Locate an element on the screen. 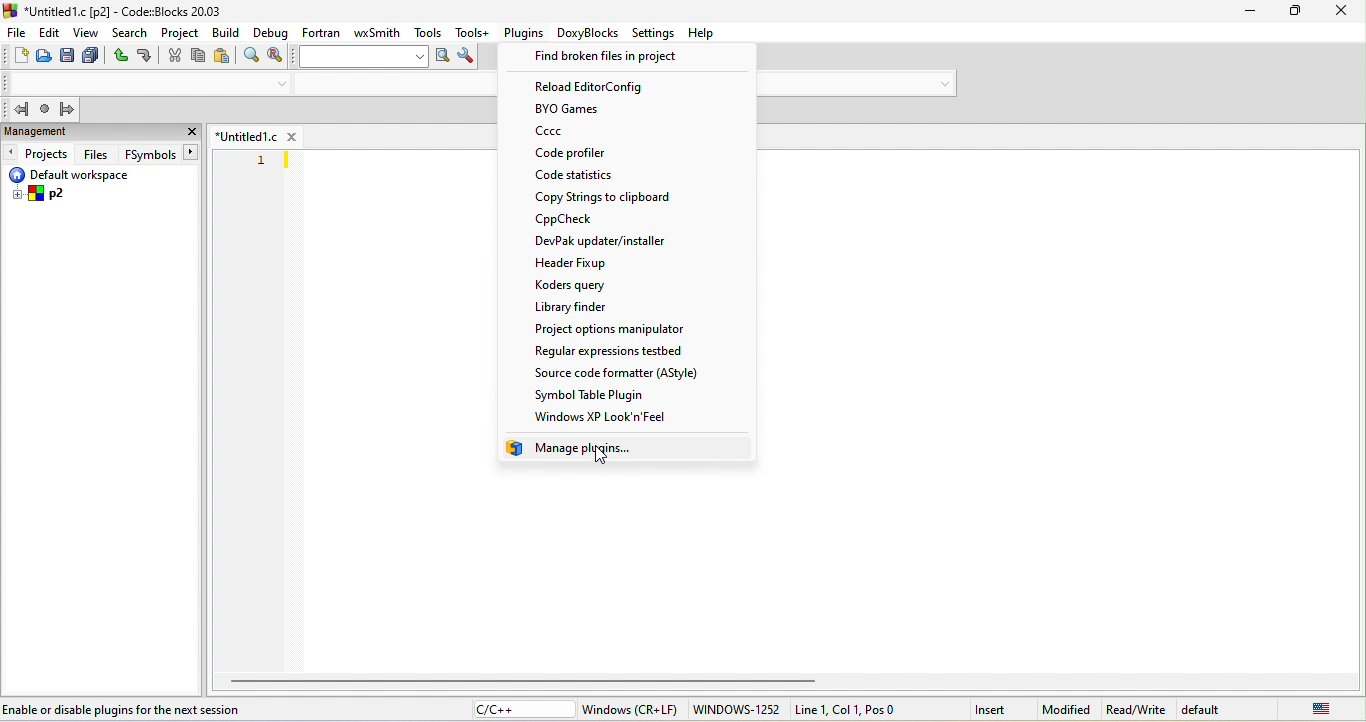 Image resolution: width=1366 pixels, height=722 pixels. settings is located at coordinates (654, 34).